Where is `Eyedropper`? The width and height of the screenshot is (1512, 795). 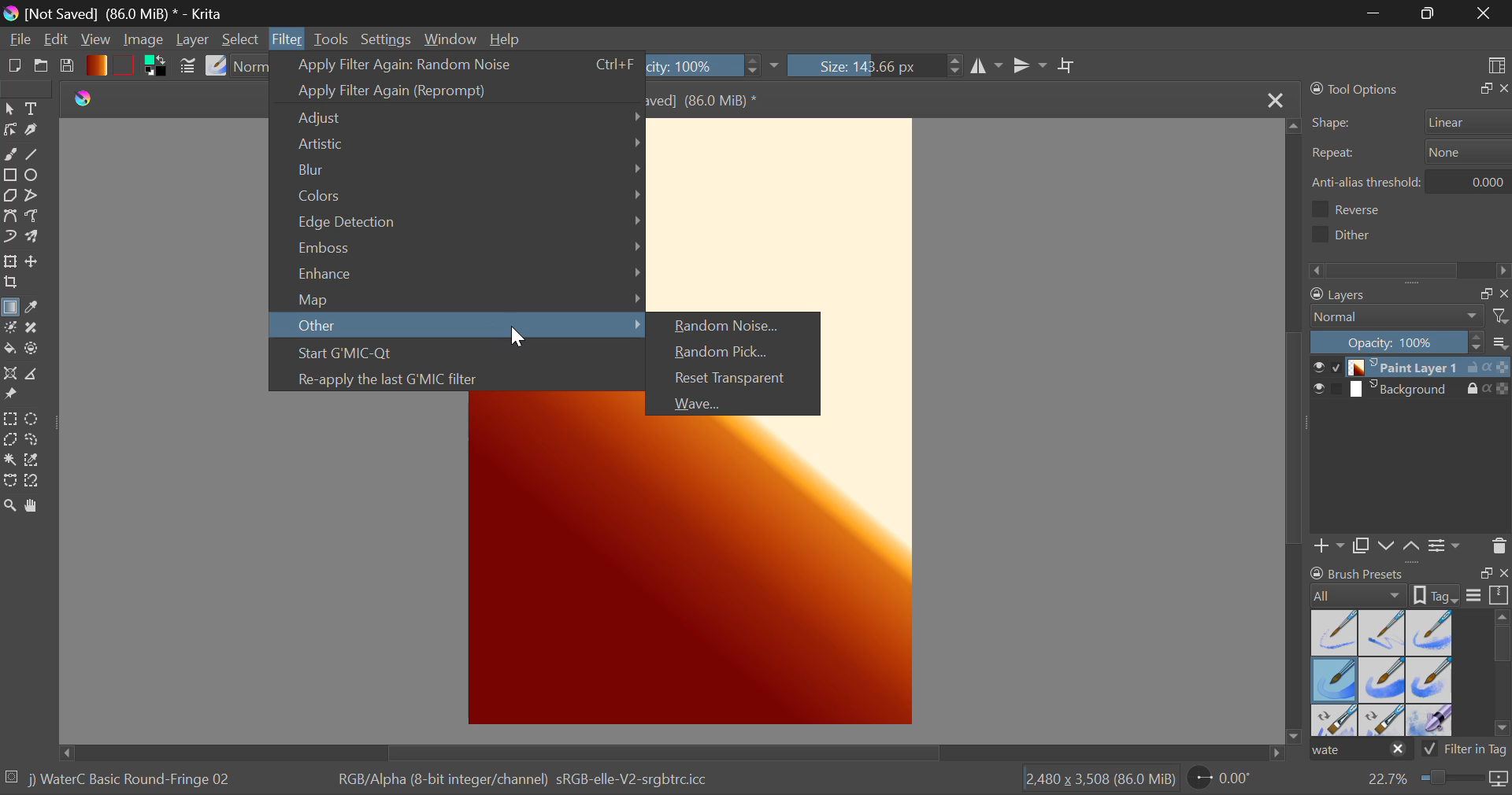
Eyedropper is located at coordinates (38, 309).